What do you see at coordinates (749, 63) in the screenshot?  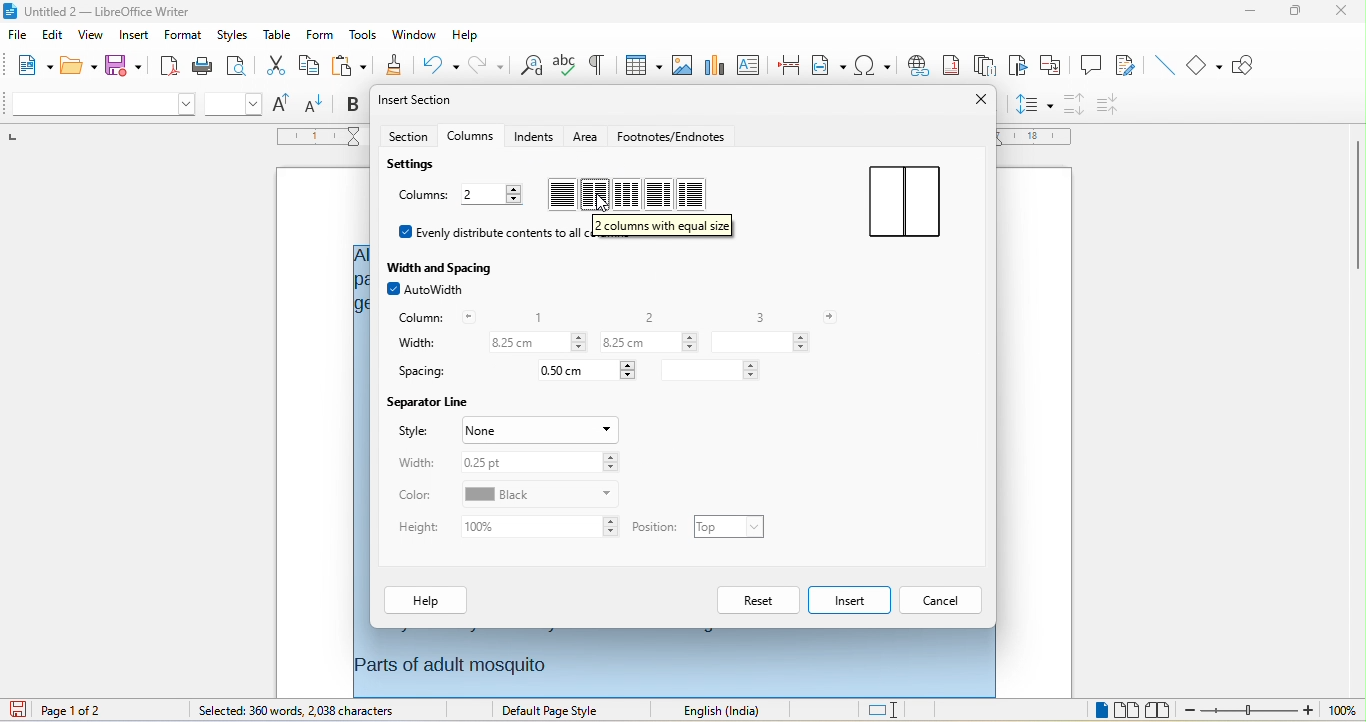 I see `text box` at bounding box center [749, 63].